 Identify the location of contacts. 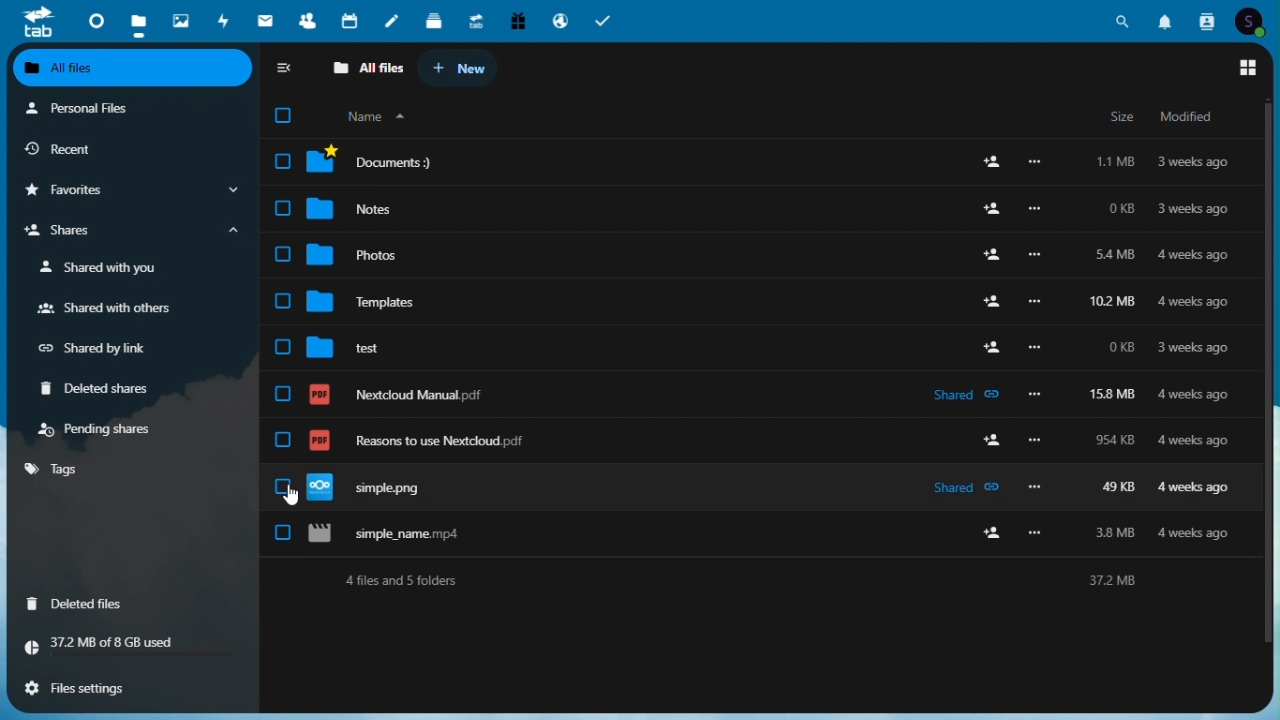
(307, 20).